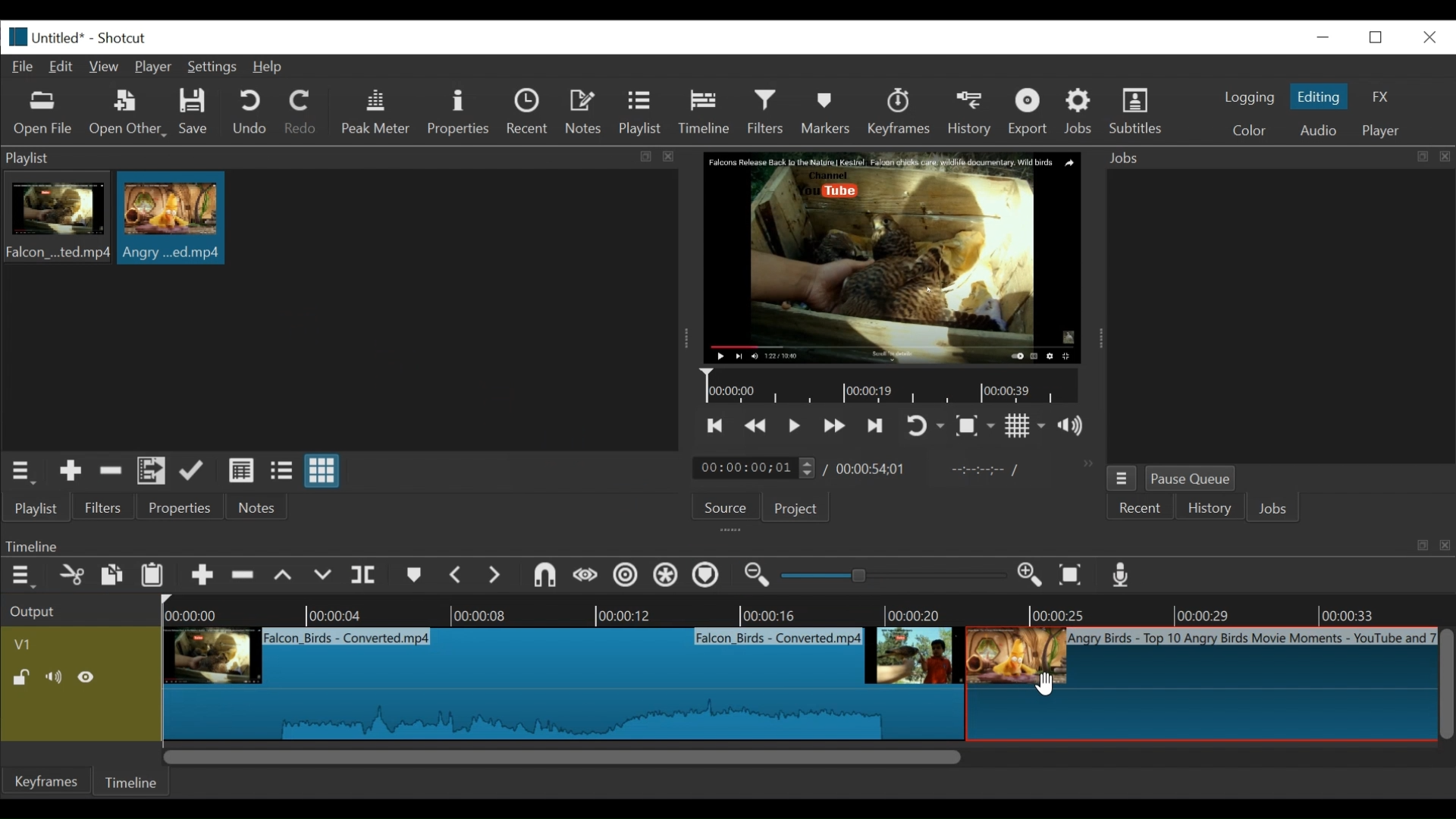 The height and width of the screenshot is (819, 1456). Describe the element at coordinates (24, 470) in the screenshot. I see `playlist menu` at that location.